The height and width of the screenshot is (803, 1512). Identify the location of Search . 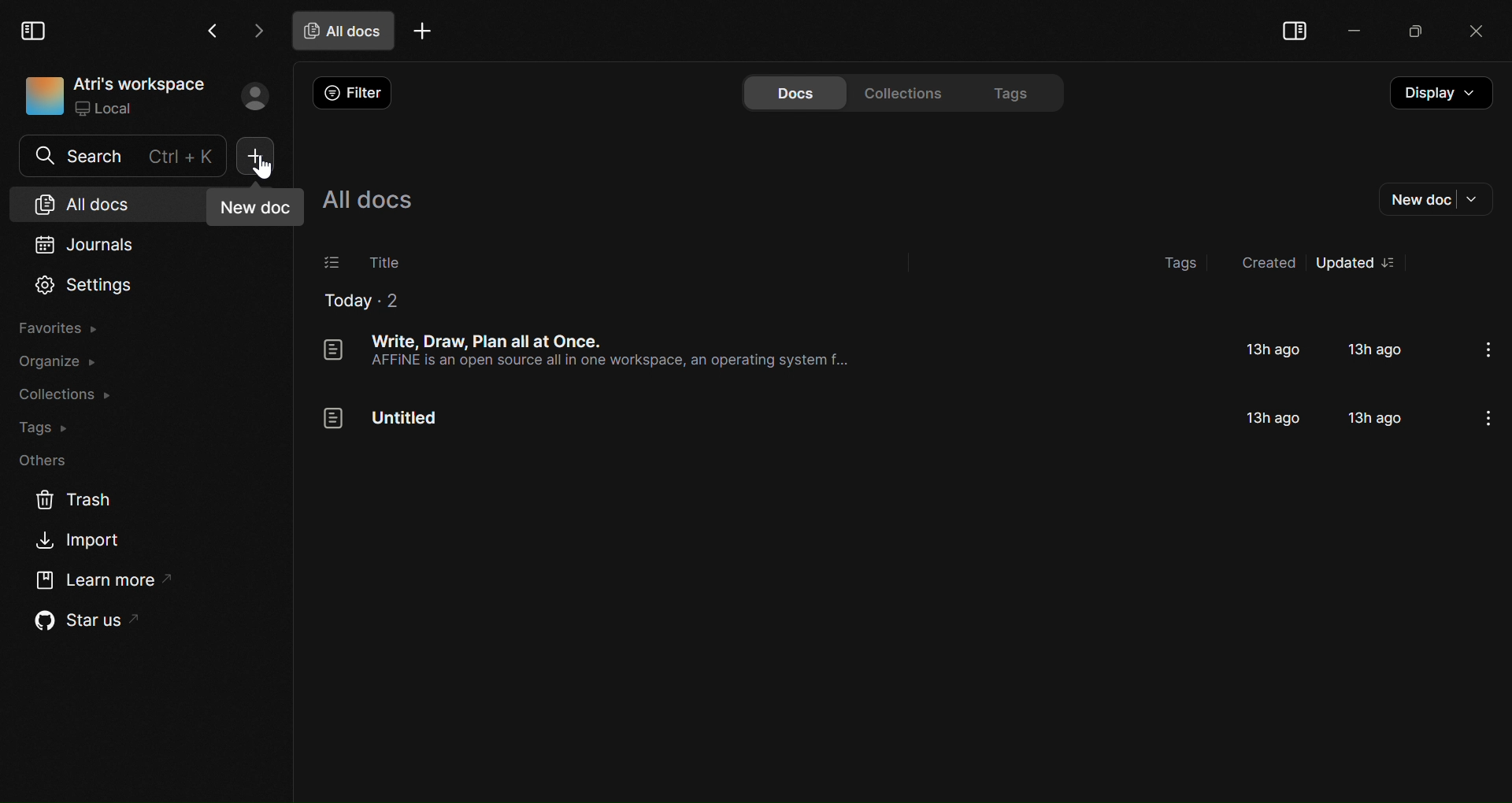
(123, 156).